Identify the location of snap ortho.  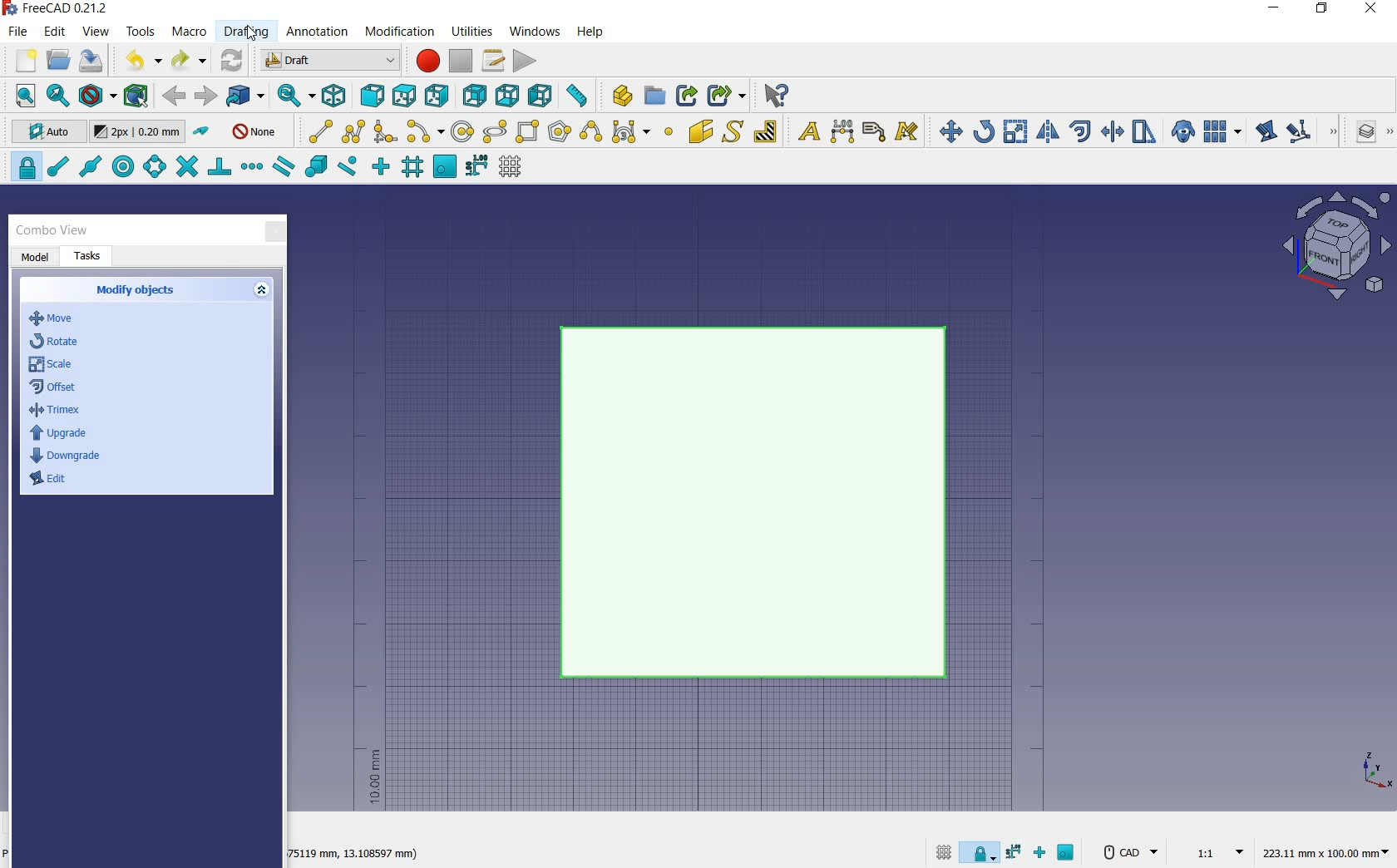
(1043, 854).